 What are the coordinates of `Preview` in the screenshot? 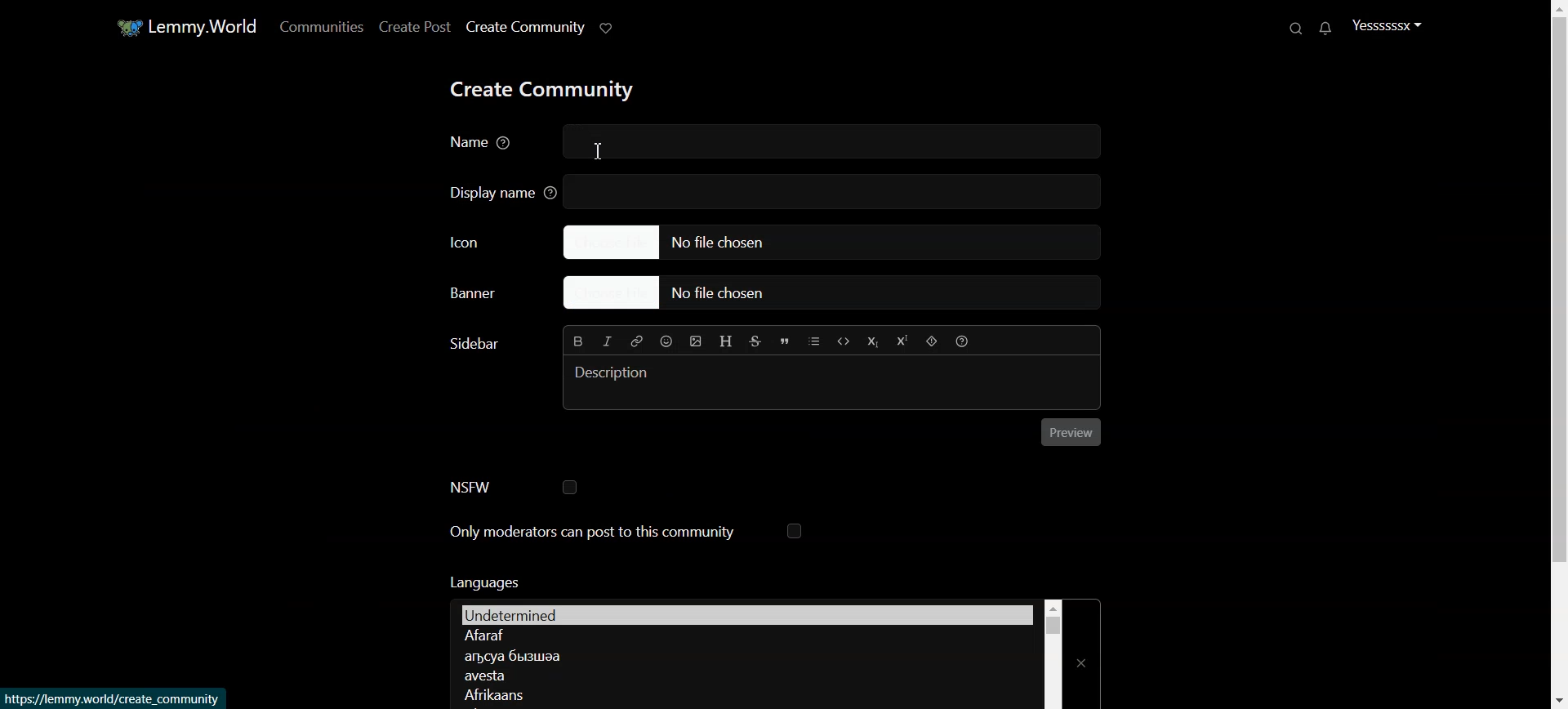 It's located at (1071, 432).